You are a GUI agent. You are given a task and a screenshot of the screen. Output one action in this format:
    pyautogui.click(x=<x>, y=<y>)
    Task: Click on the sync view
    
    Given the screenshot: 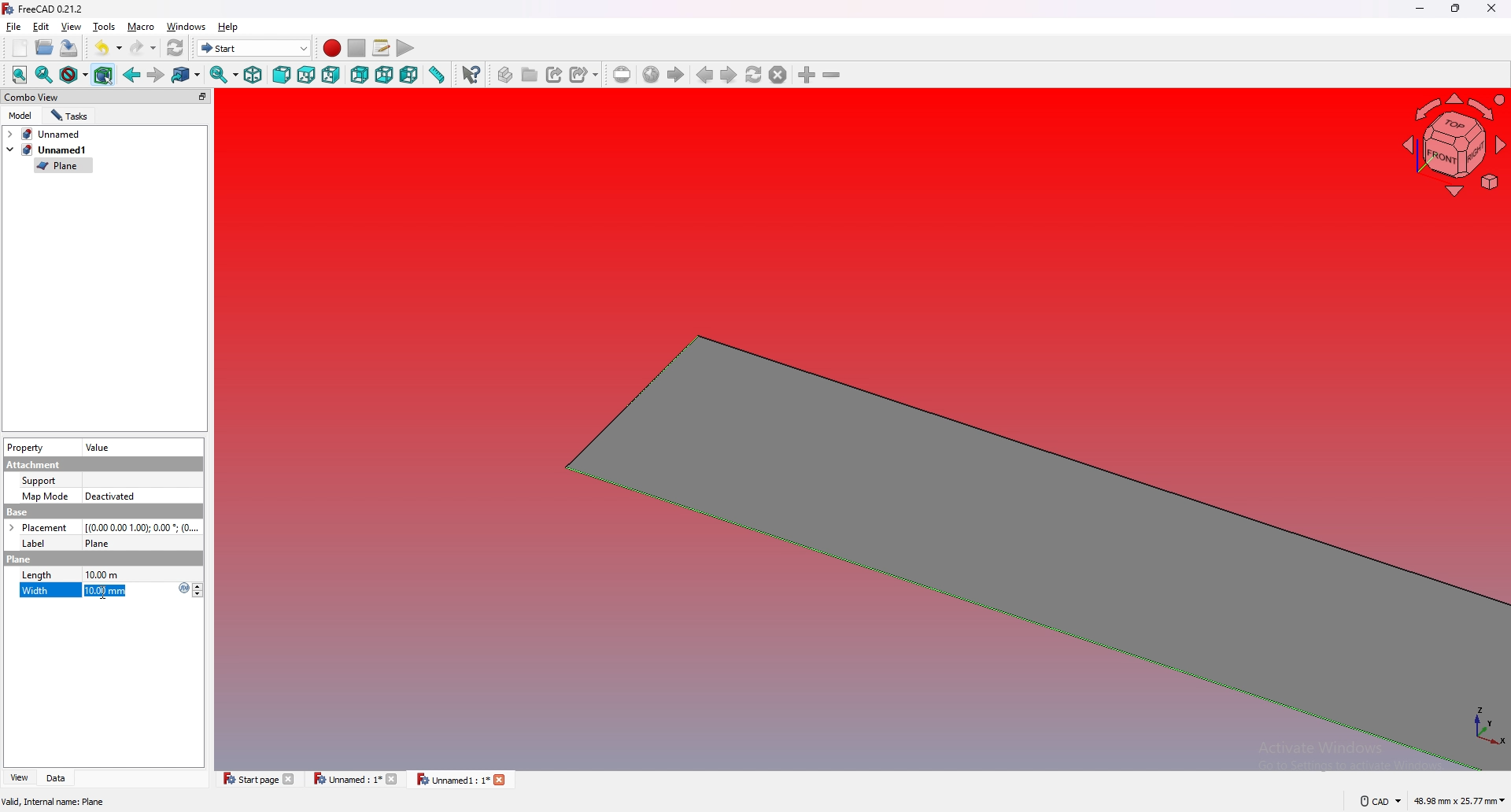 What is the action you would take?
    pyautogui.click(x=224, y=74)
    